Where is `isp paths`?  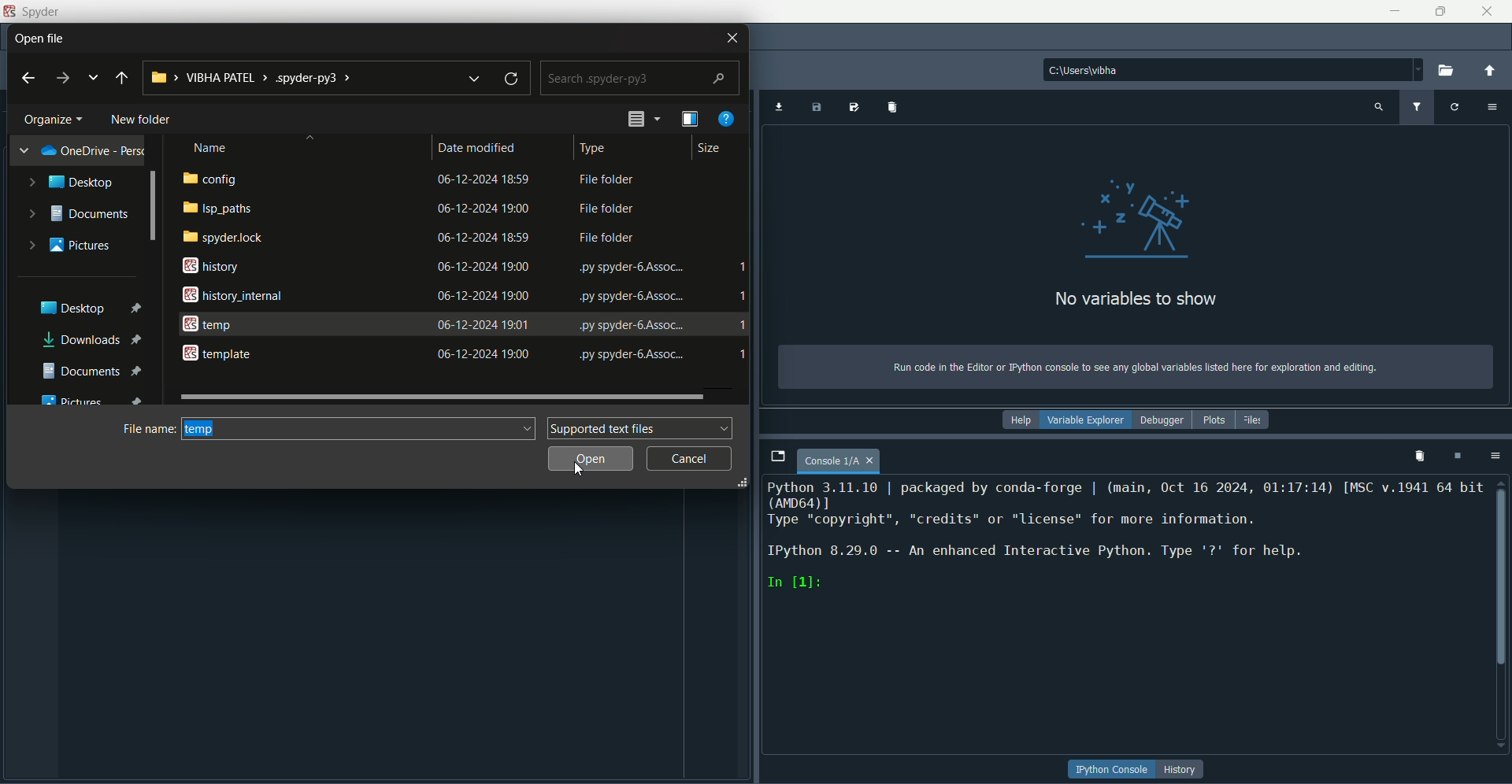
isp paths is located at coordinates (217, 208).